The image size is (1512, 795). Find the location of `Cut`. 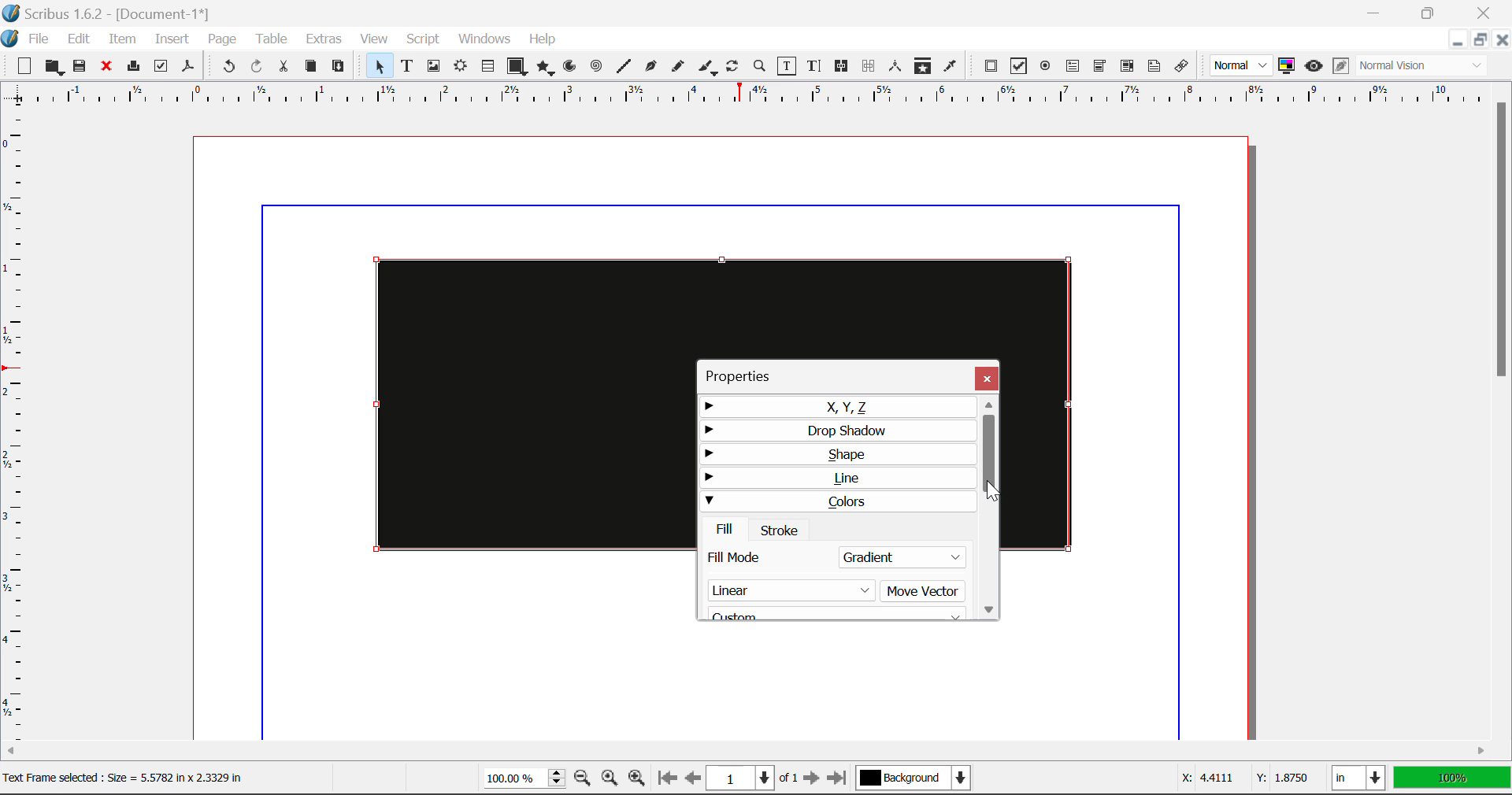

Cut is located at coordinates (283, 67).